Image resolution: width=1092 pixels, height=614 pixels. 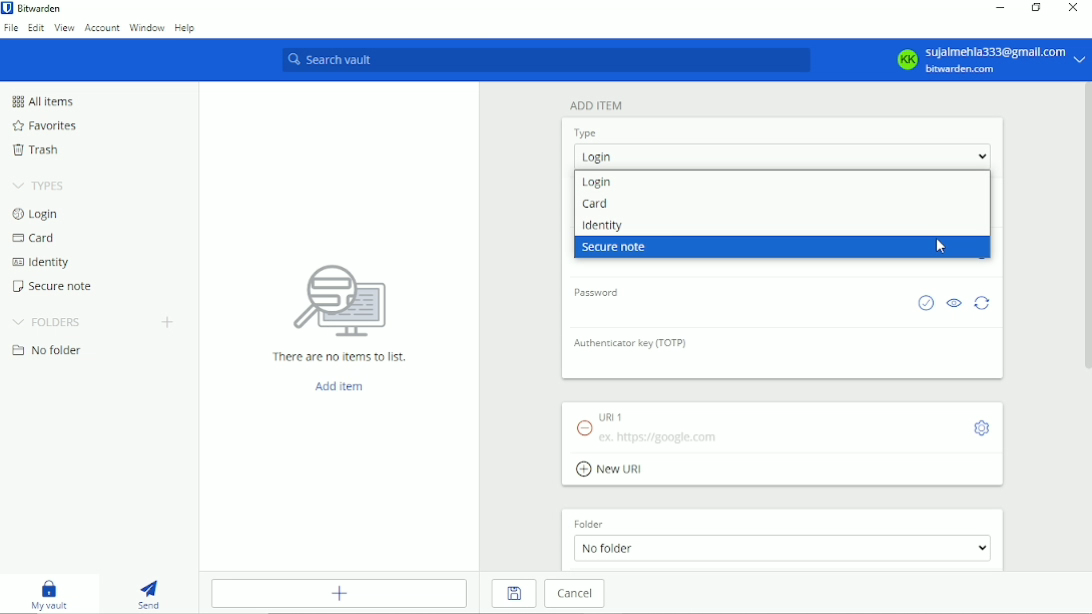 I want to click on Search vault, so click(x=544, y=61).